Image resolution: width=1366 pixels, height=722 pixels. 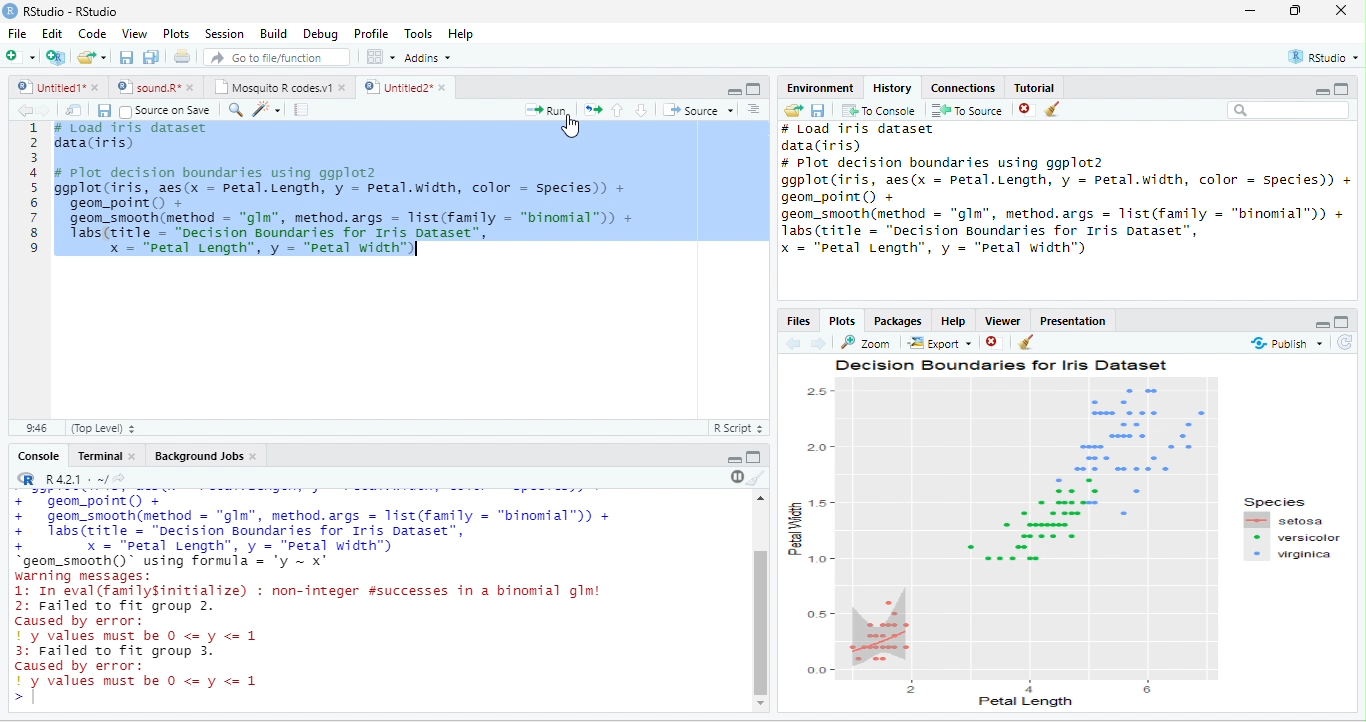 I want to click on cursor, so click(x=571, y=127).